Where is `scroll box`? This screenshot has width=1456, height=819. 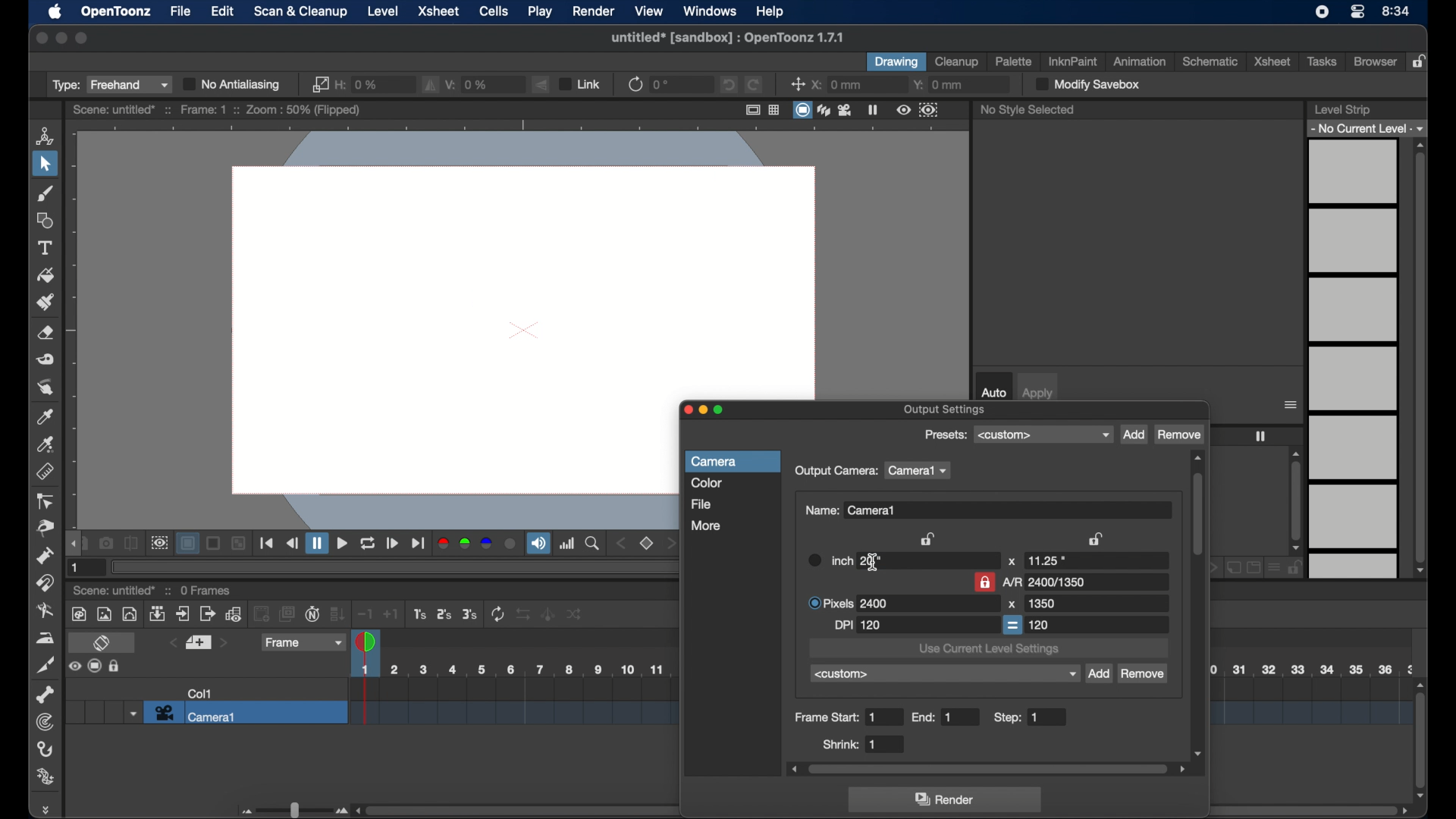
scroll box is located at coordinates (1296, 500).